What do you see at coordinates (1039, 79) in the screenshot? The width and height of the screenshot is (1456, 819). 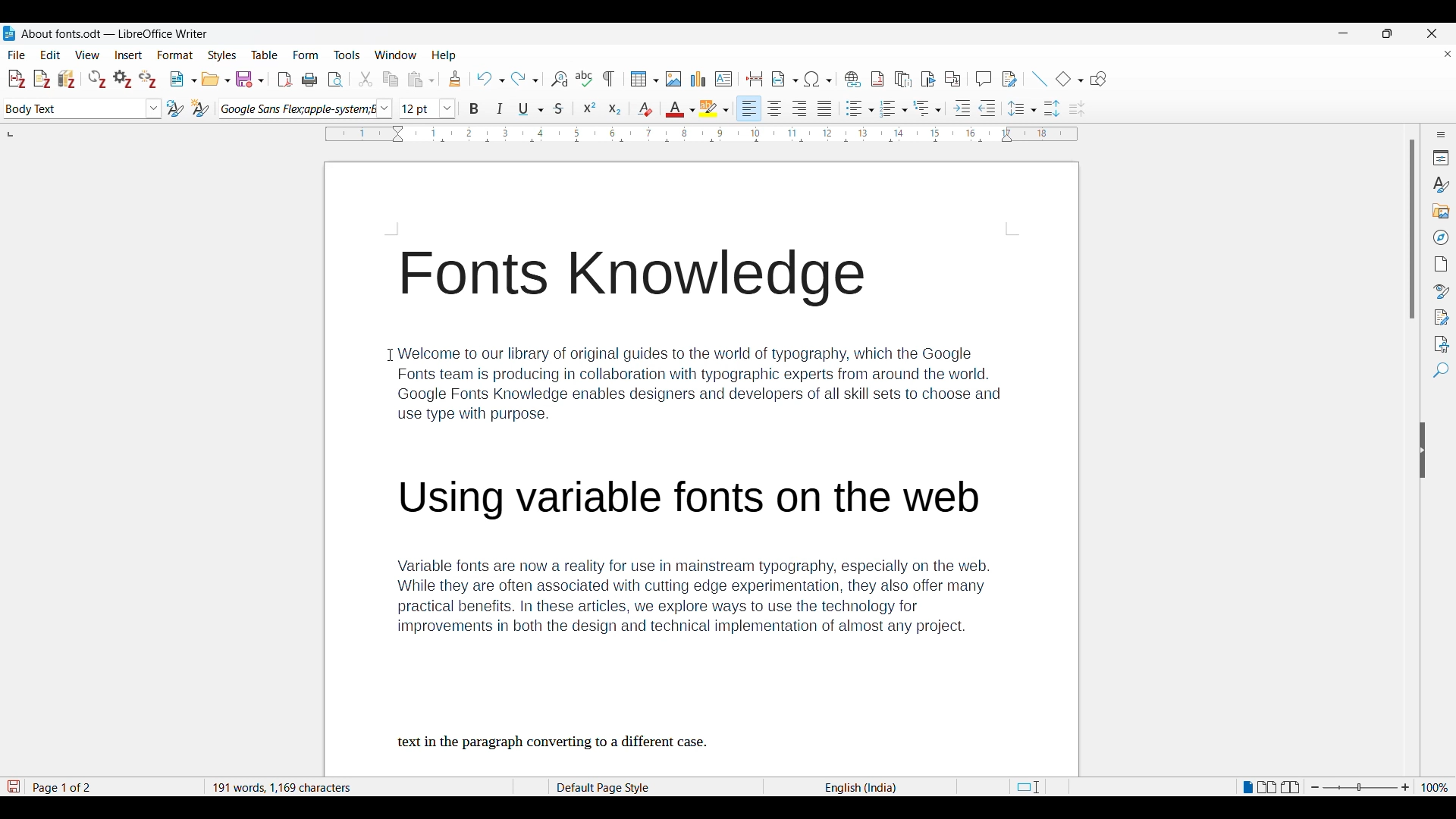 I see `Insert line` at bounding box center [1039, 79].